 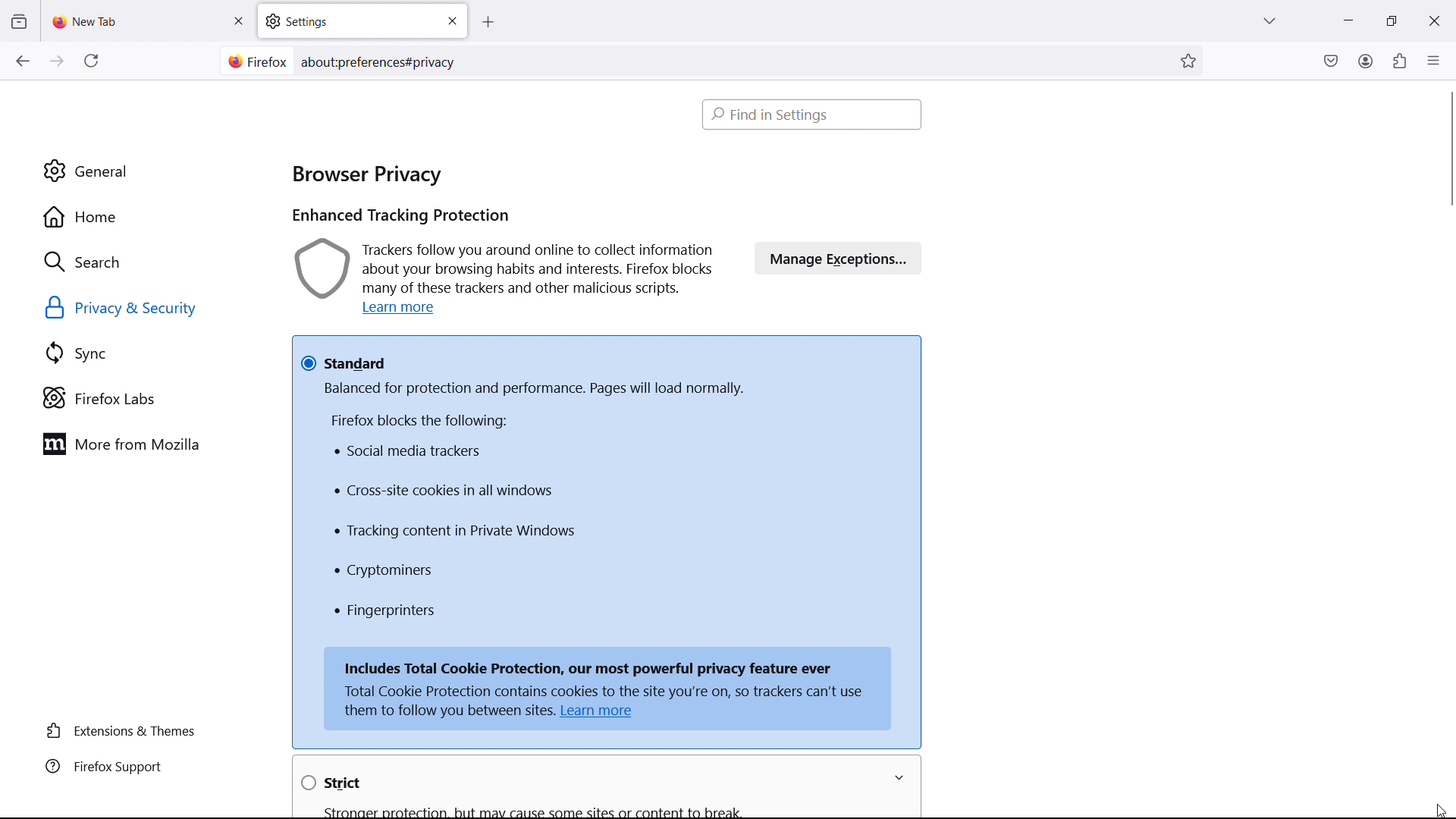 What do you see at coordinates (1441, 165) in the screenshot?
I see `slider` at bounding box center [1441, 165].